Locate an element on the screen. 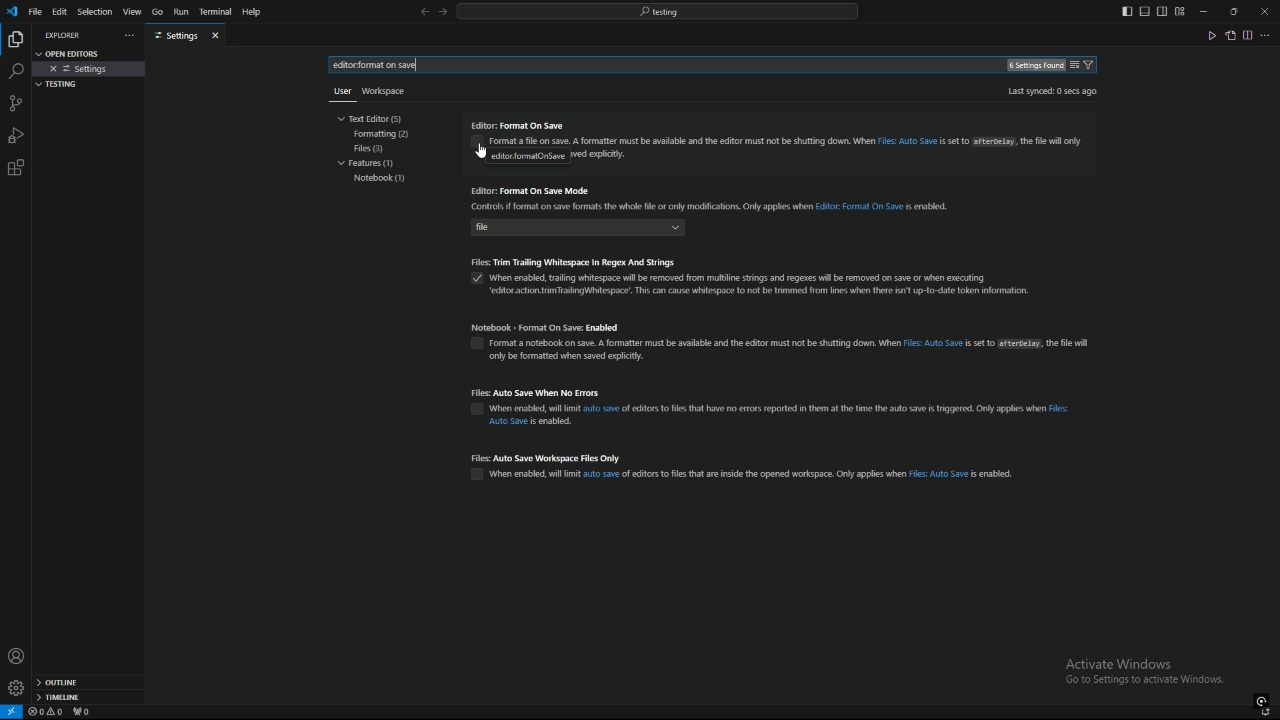  text editor is located at coordinates (375, 118).